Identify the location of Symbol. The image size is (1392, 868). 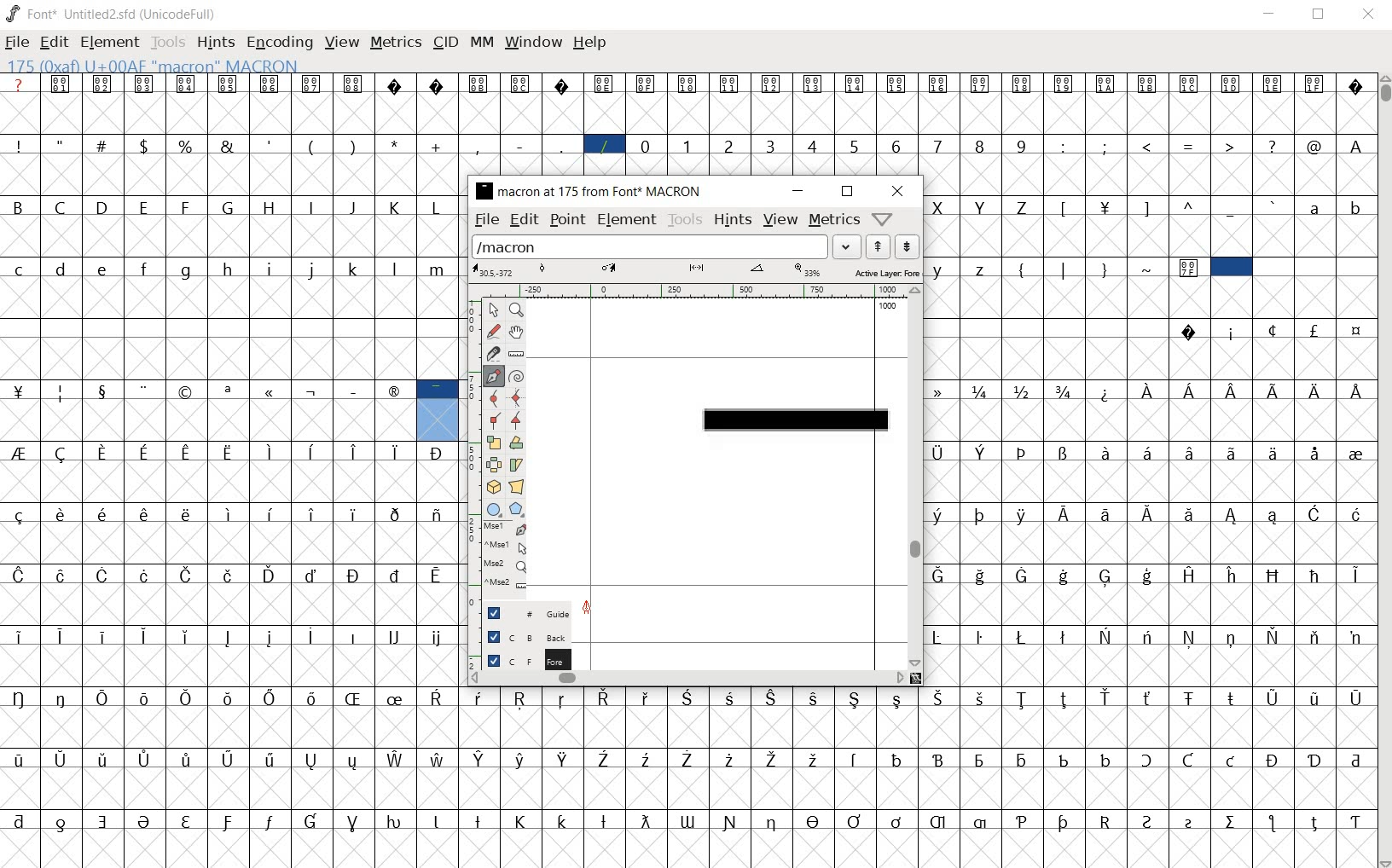
(1275, 637).